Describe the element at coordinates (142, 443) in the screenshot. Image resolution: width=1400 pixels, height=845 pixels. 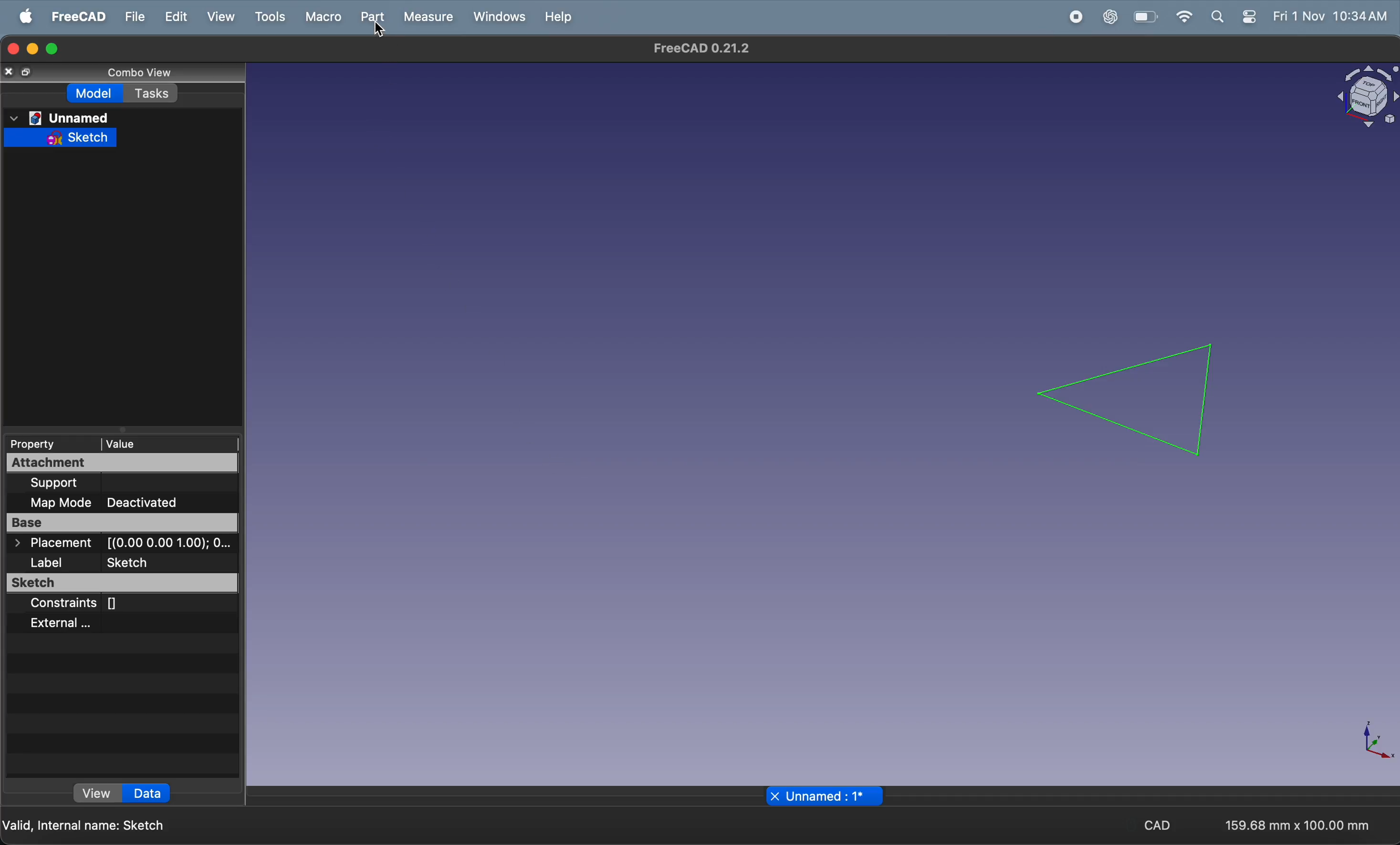
I see `value` at that location.